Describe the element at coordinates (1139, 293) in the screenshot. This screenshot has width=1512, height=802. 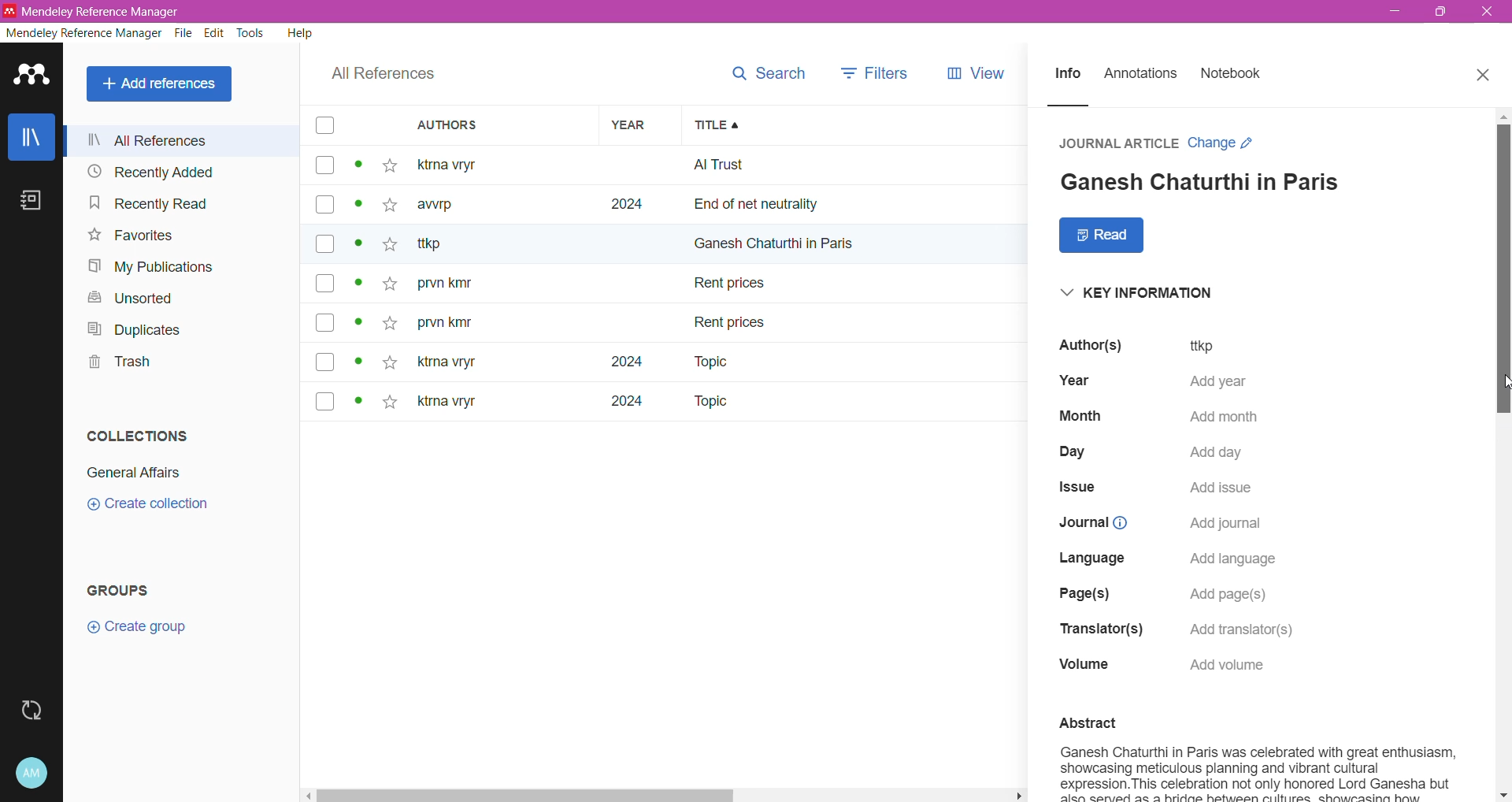
I see `Key Information` at that location.